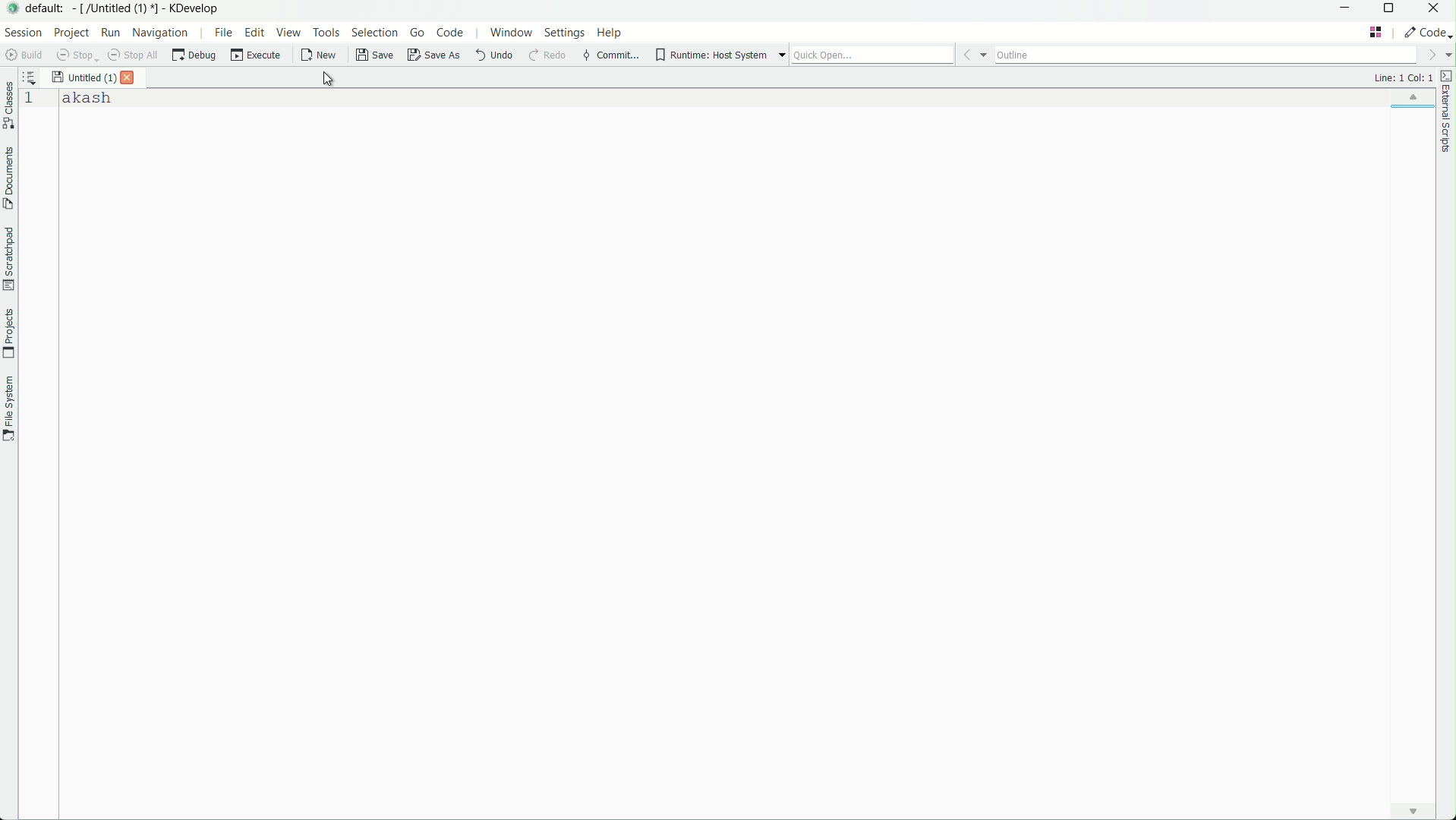  I want to click on default, so click(46, 9).